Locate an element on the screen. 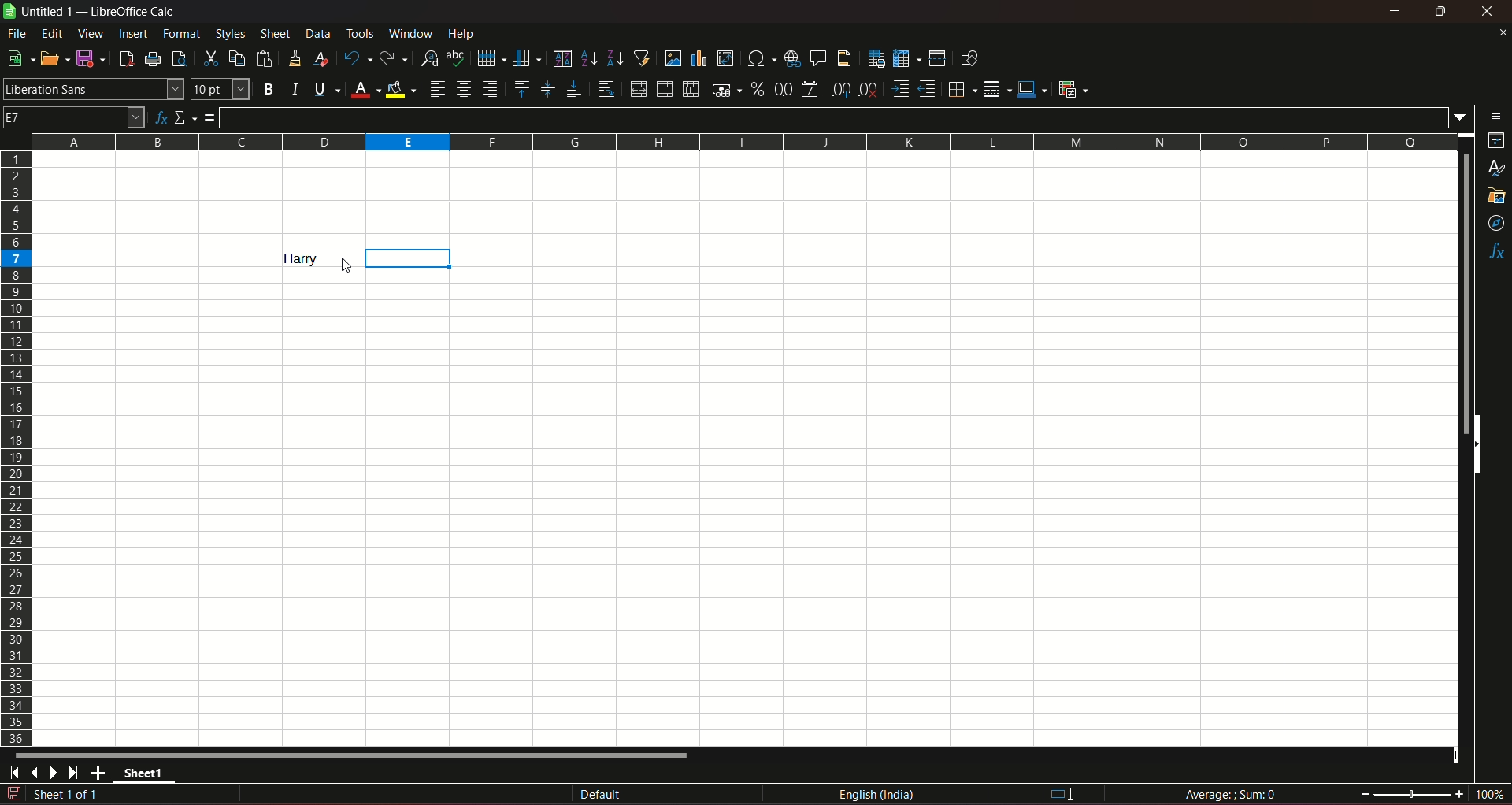 Image resolution: width=1512 pixels, height=805 pixels. clone formatting is located at coordinates (296, 57).